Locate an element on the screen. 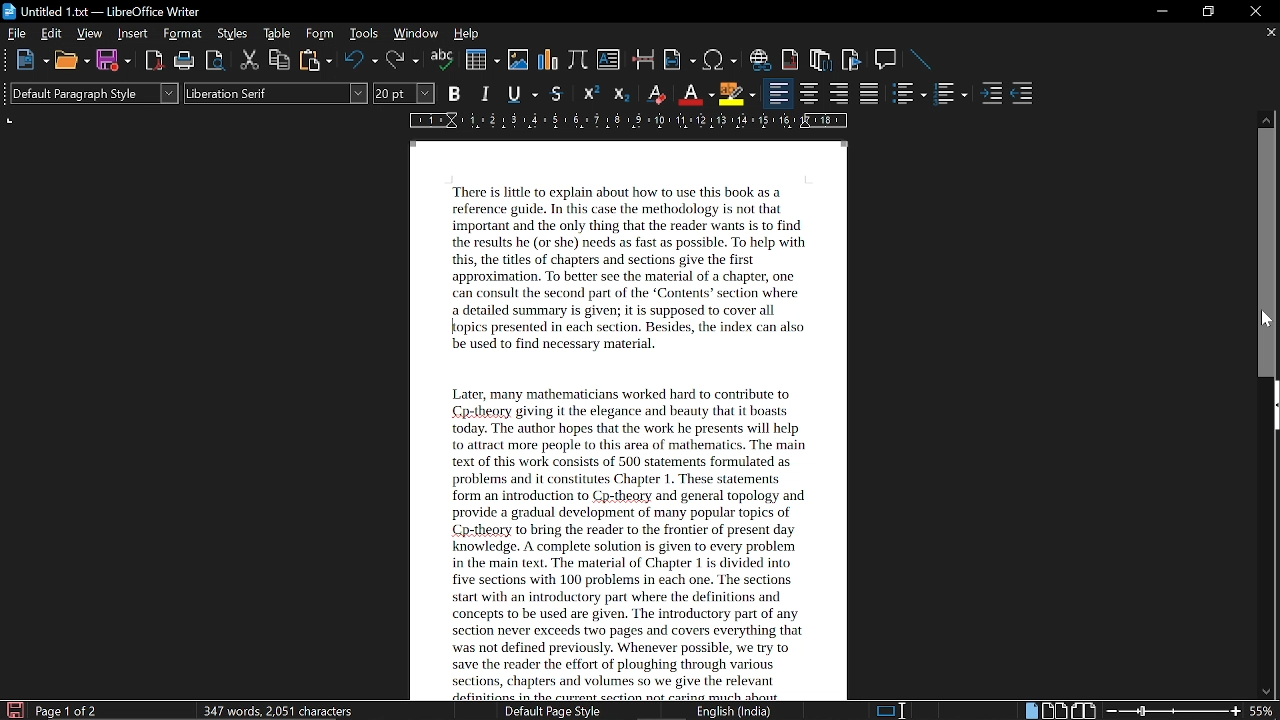 Image resolution: width=1280 pixels, height=720 pixels. toggle unordered list is located at coordinates (952, 95).